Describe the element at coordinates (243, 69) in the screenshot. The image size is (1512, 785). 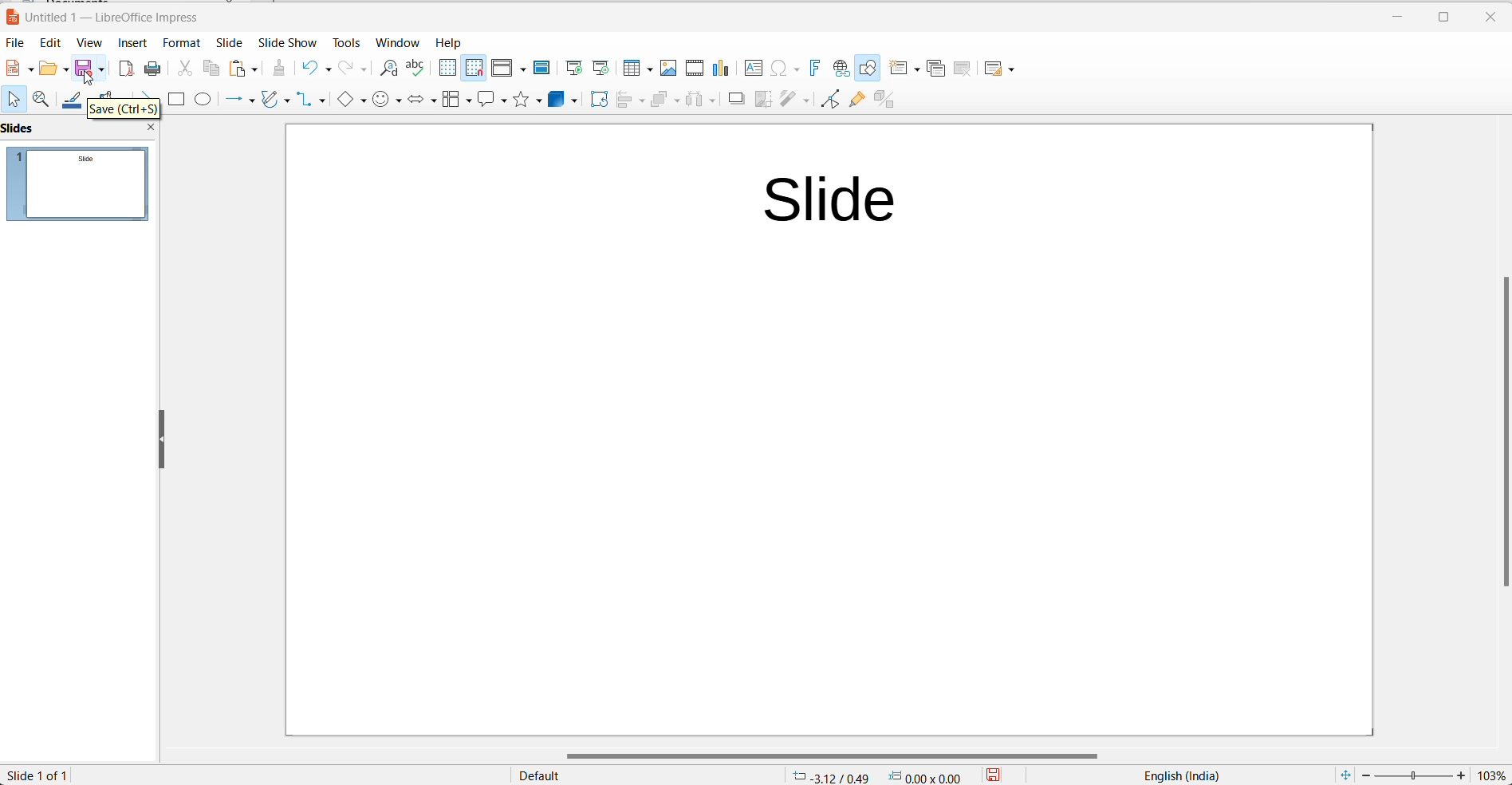
I see `Paste options` at that location.